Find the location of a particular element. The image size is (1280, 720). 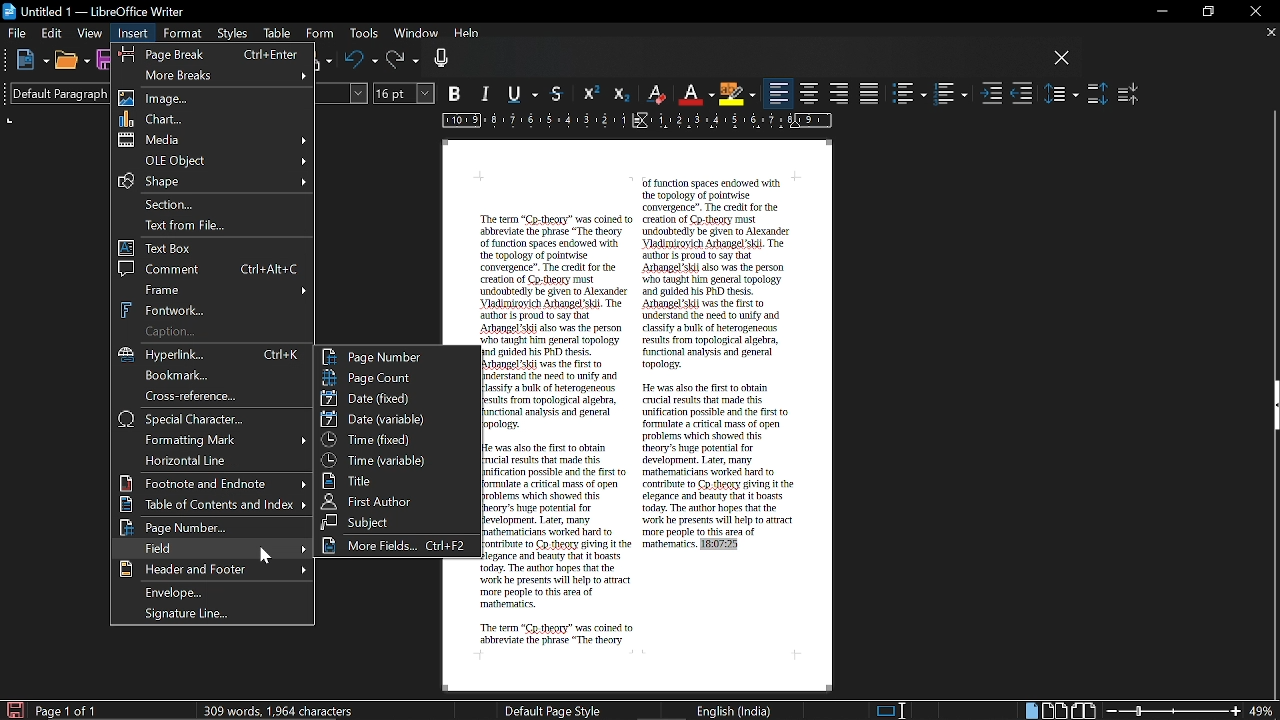

The term "Cp-theory" was coined to abbreviate the phrase "The theory of function spaces endowed with the topology of pointwise convergence". The credit for the creation of Cp-theory must undoubtedly be given to Alexander Vladimirovich Arhangel'skil. The author is proud to say that Arhangel'skii also was the person who taught him general topology and guided his PhD thesis. Arbangel'skii was the first to understand the need to unify and classify a bulk of heterogeneous results from topological algebra, functional analysis and general topology. is located at coordinates (560, 322).